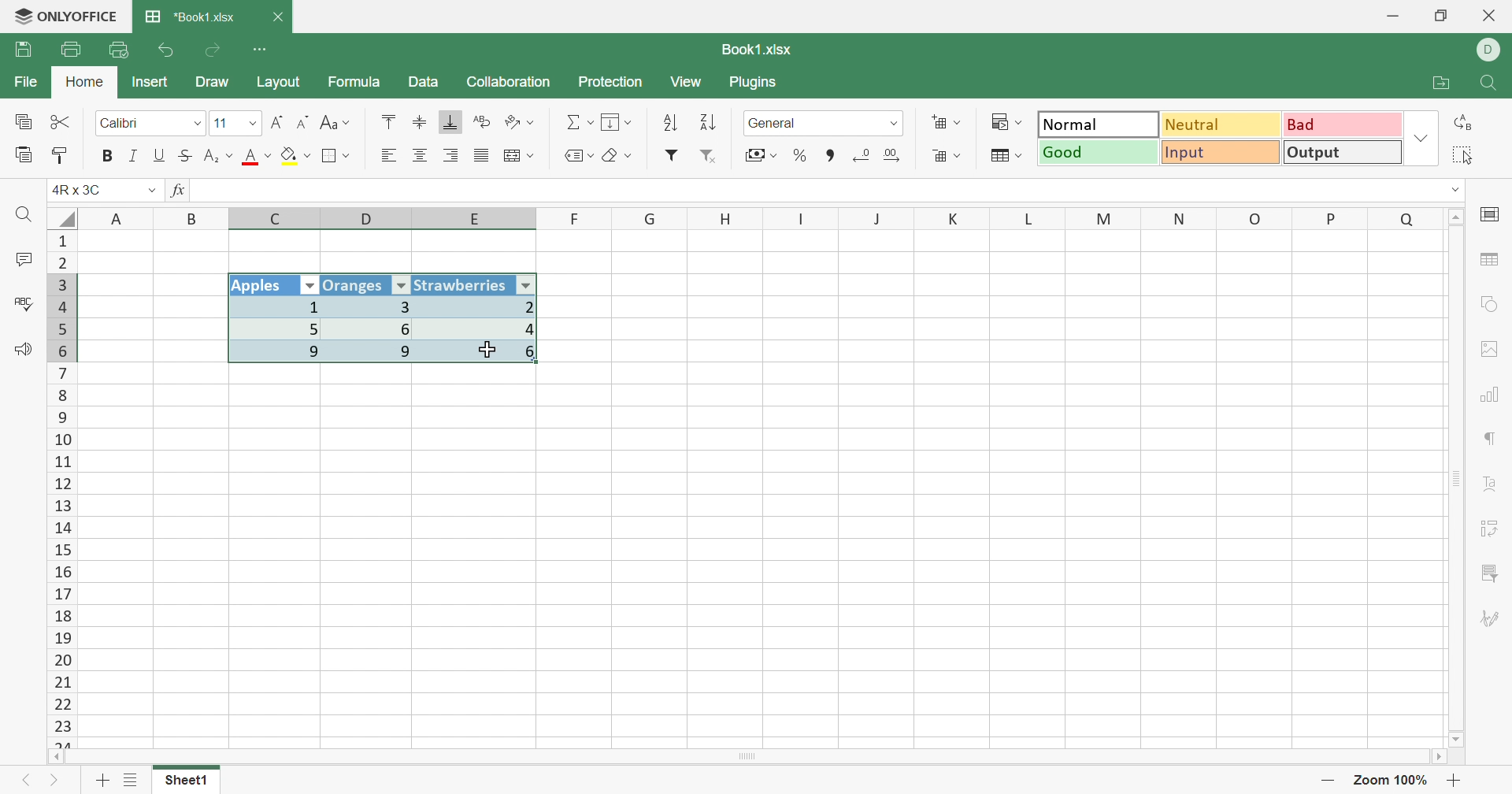 The width and height of the screenshot is (1512, 794). I want to click on Add sheet, so click(102, 780).